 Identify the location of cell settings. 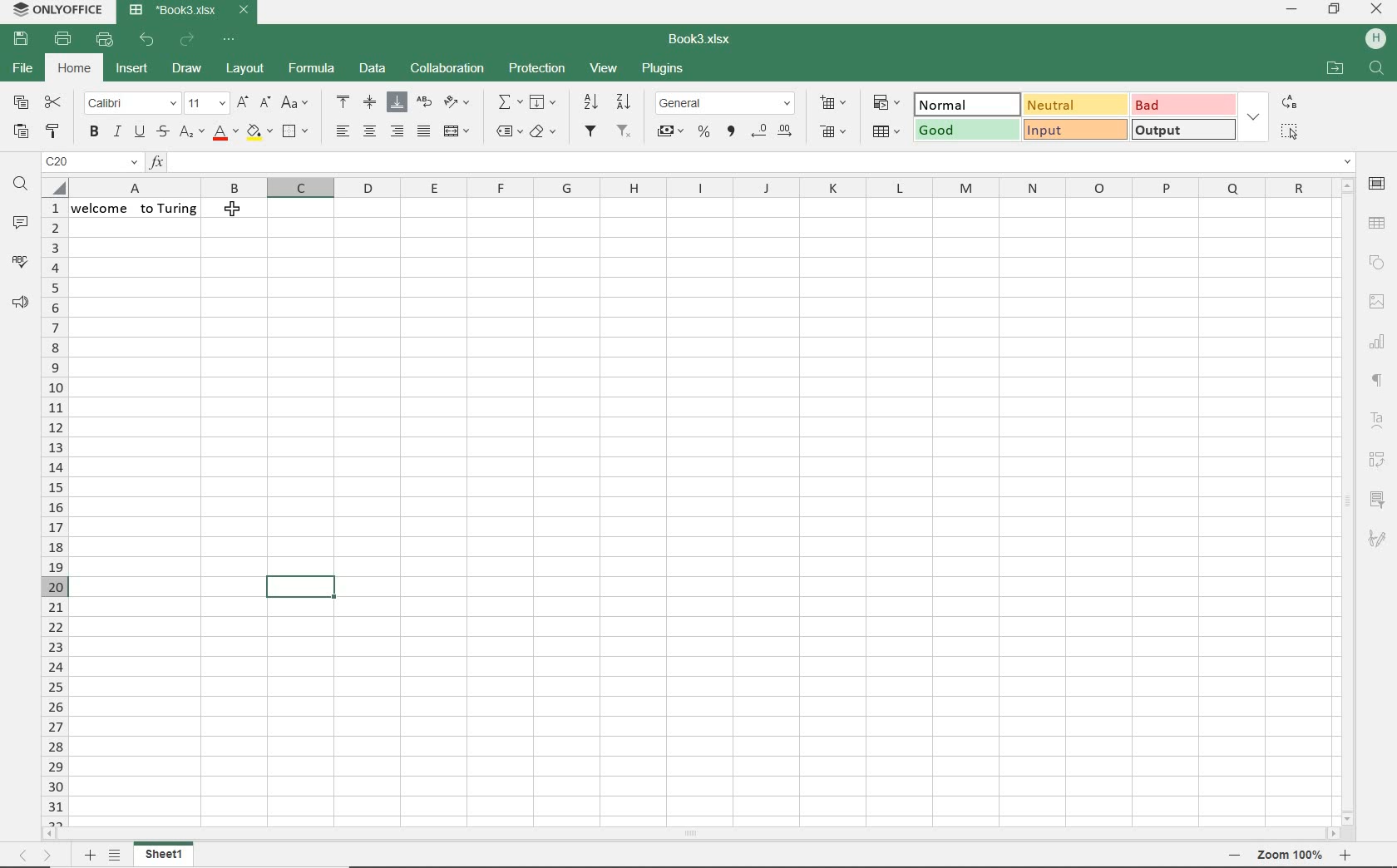
(1379, 184).